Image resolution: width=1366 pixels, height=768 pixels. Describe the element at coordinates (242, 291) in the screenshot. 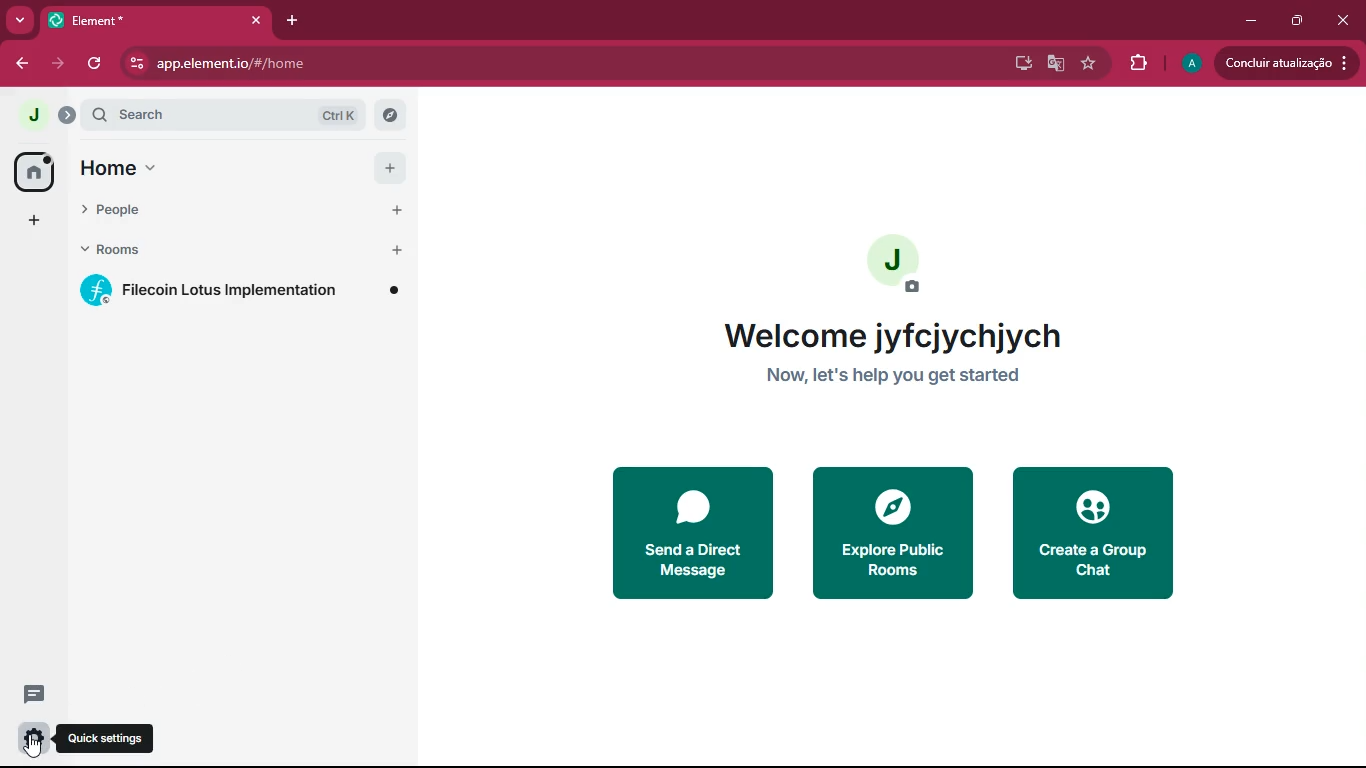

I see `filecoin lotus implementation` at that location.